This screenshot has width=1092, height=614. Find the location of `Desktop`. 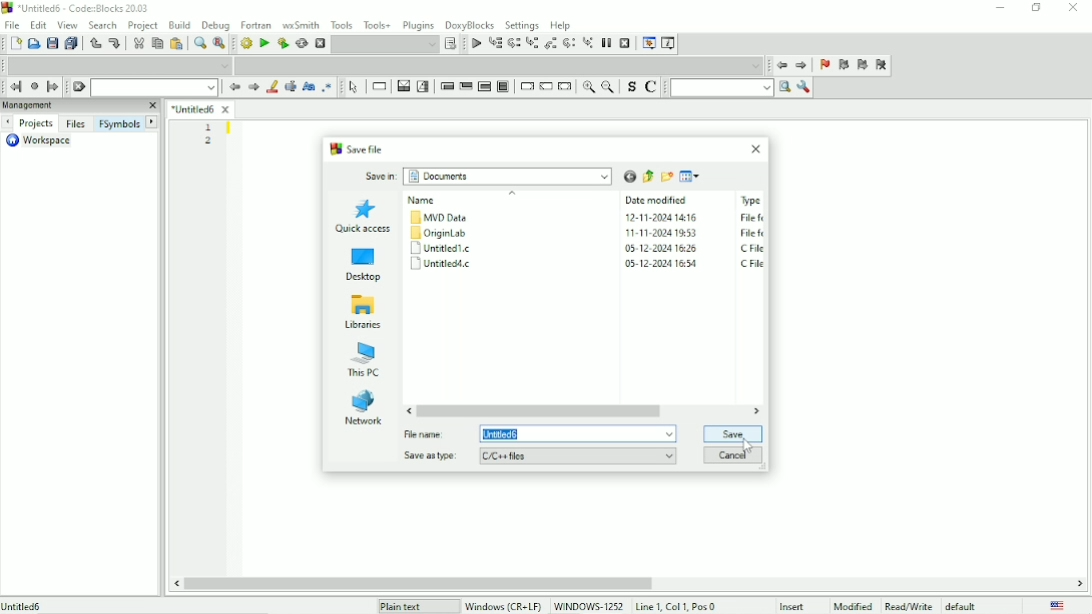

Desktop is located at coordinates (363, 263).